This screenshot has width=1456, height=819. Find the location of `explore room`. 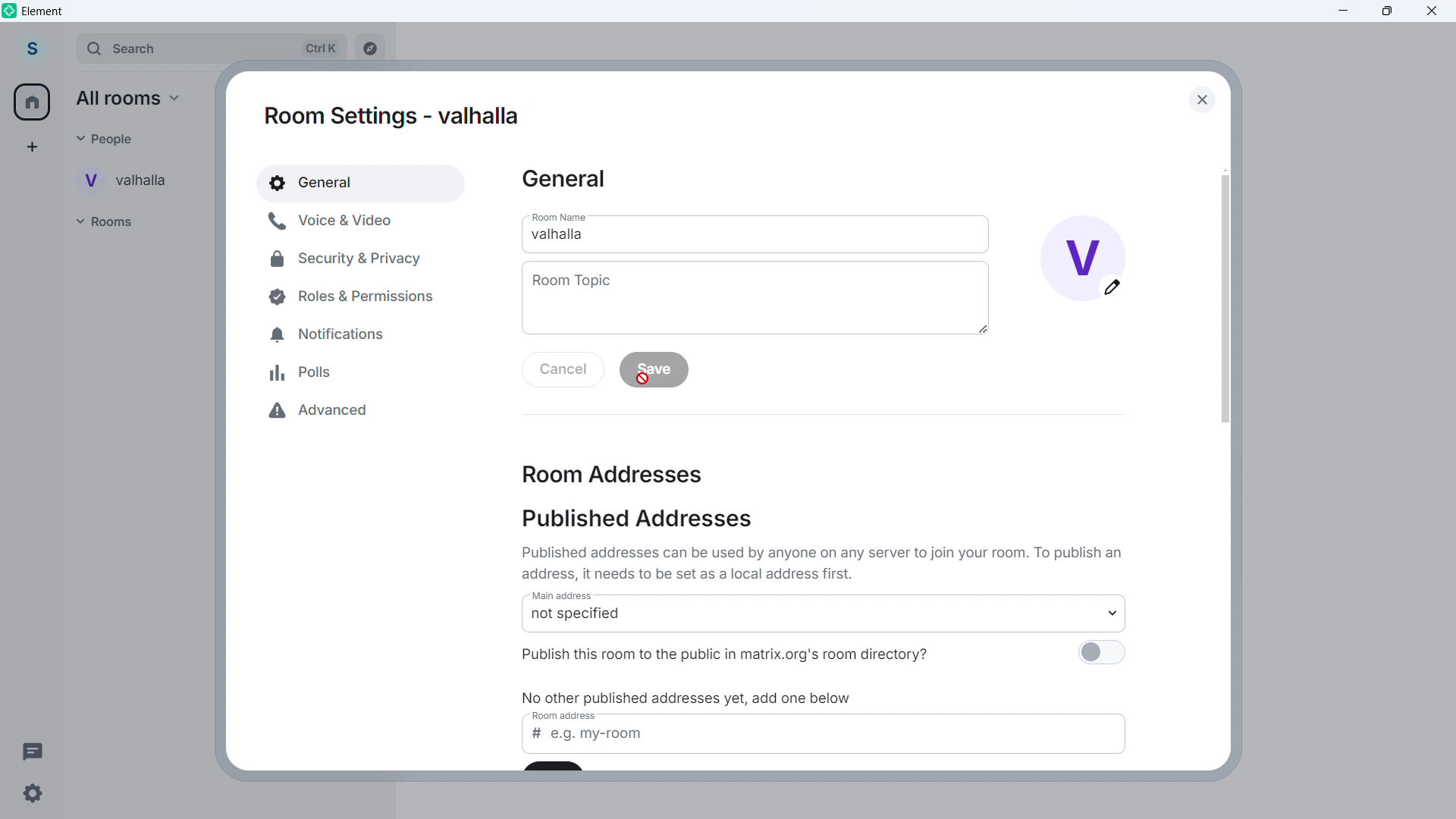

explore room is located at coordinates (375, 45).